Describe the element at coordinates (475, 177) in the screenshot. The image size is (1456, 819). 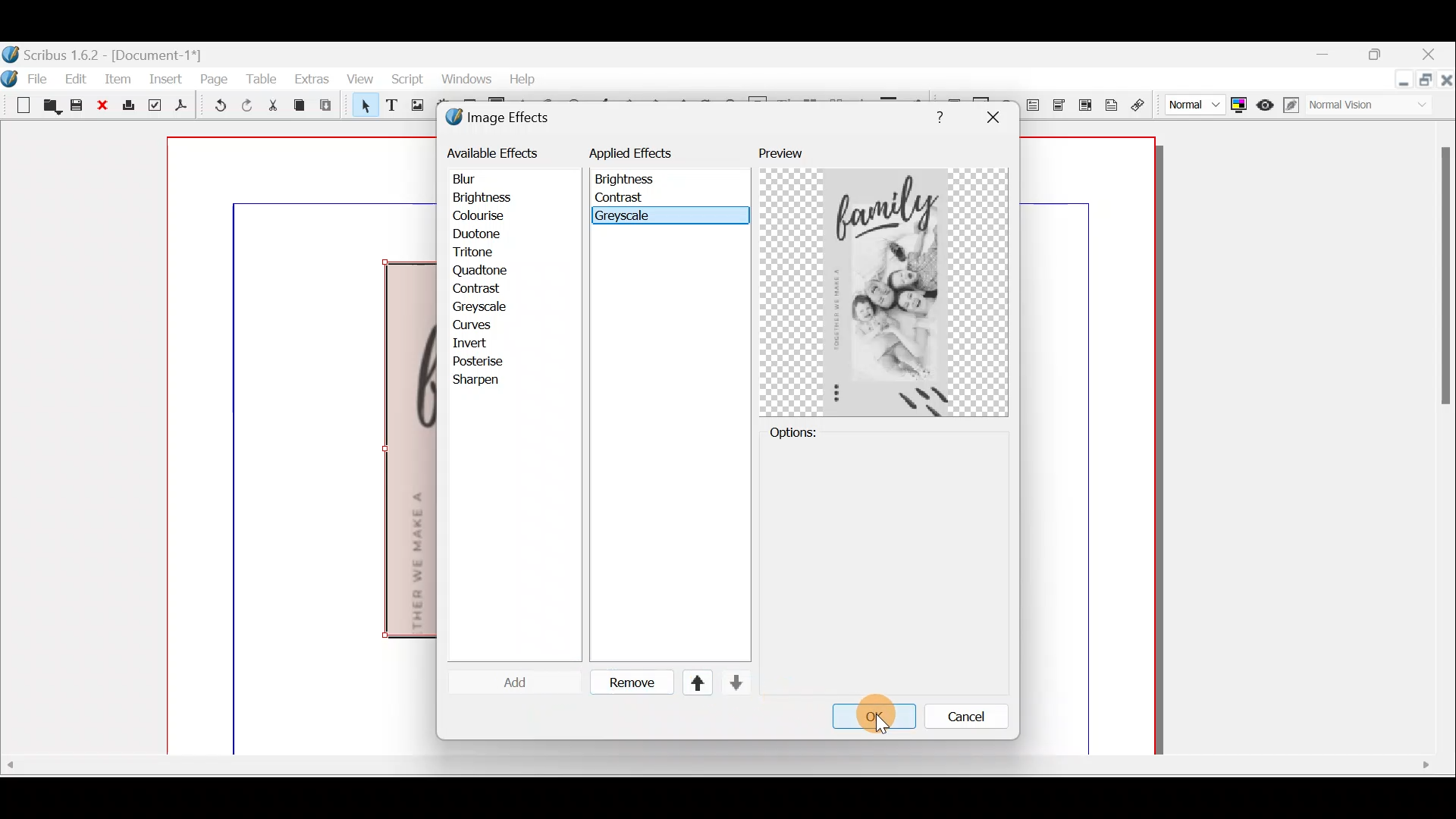
I see `blur` at that location.